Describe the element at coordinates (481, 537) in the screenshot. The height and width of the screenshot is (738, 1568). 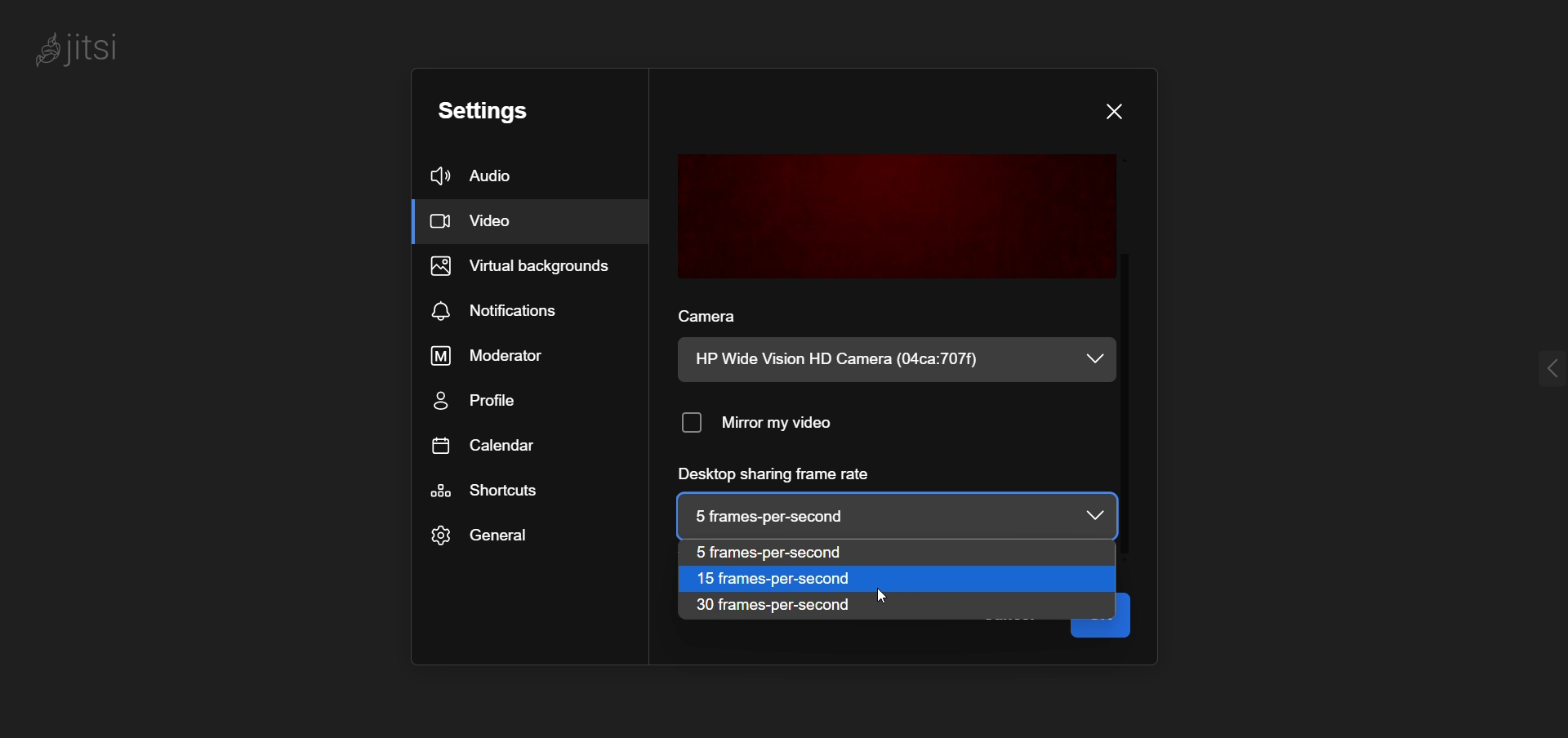
I see `general` at that location.